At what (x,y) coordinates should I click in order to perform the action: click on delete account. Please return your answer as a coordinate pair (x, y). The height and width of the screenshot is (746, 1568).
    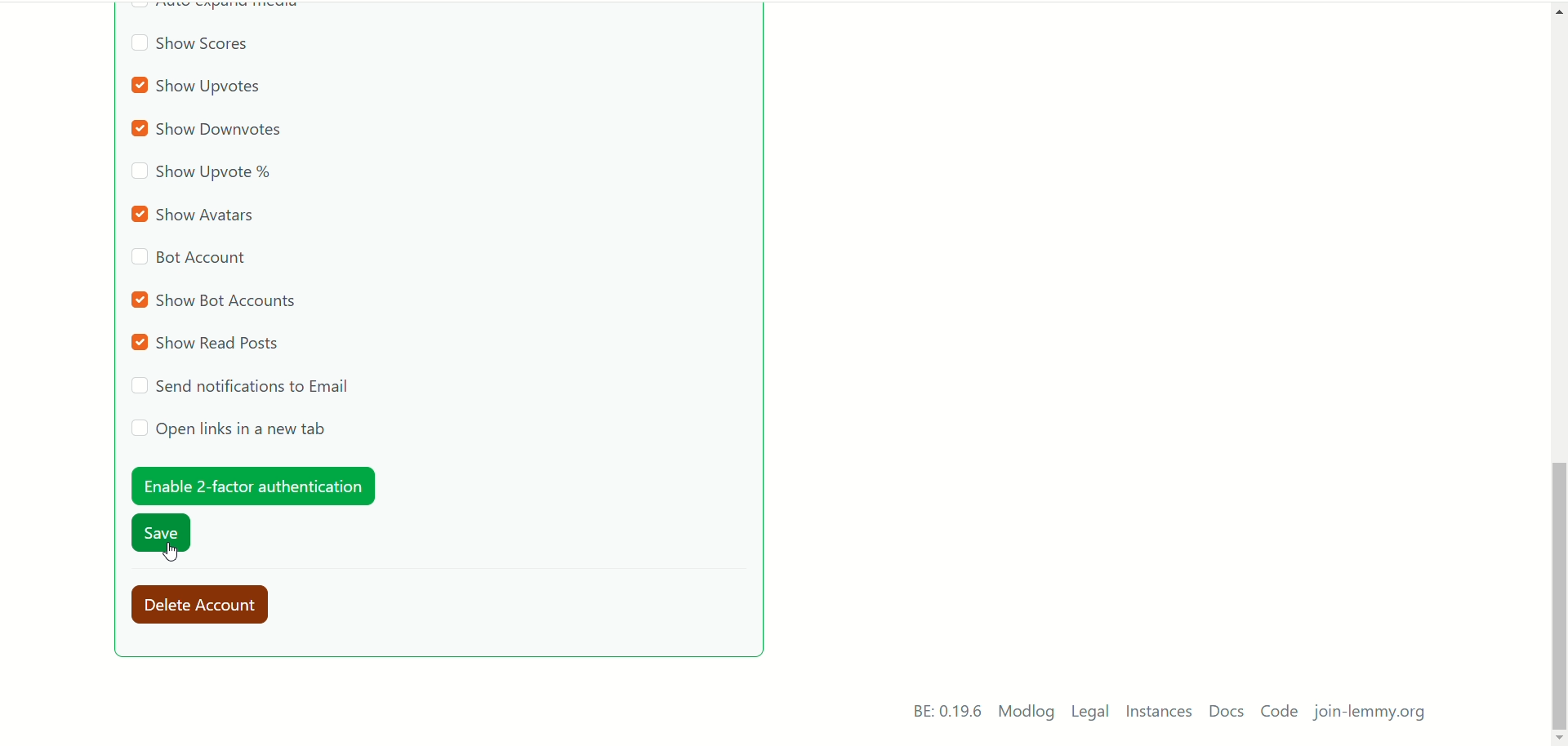
    Looking at the image, I should click on (207, 606).